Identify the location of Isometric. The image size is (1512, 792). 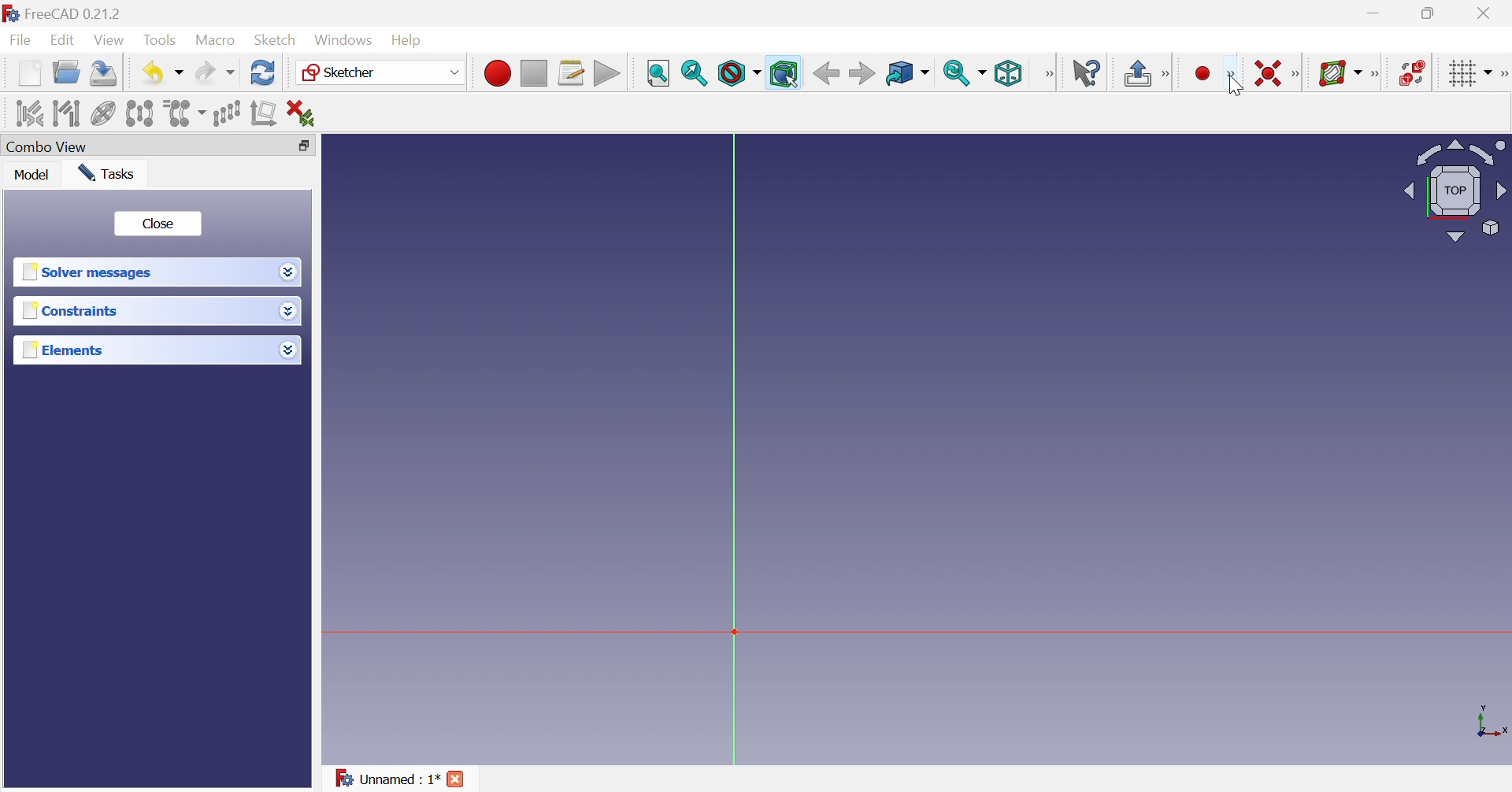
(1011, 72).